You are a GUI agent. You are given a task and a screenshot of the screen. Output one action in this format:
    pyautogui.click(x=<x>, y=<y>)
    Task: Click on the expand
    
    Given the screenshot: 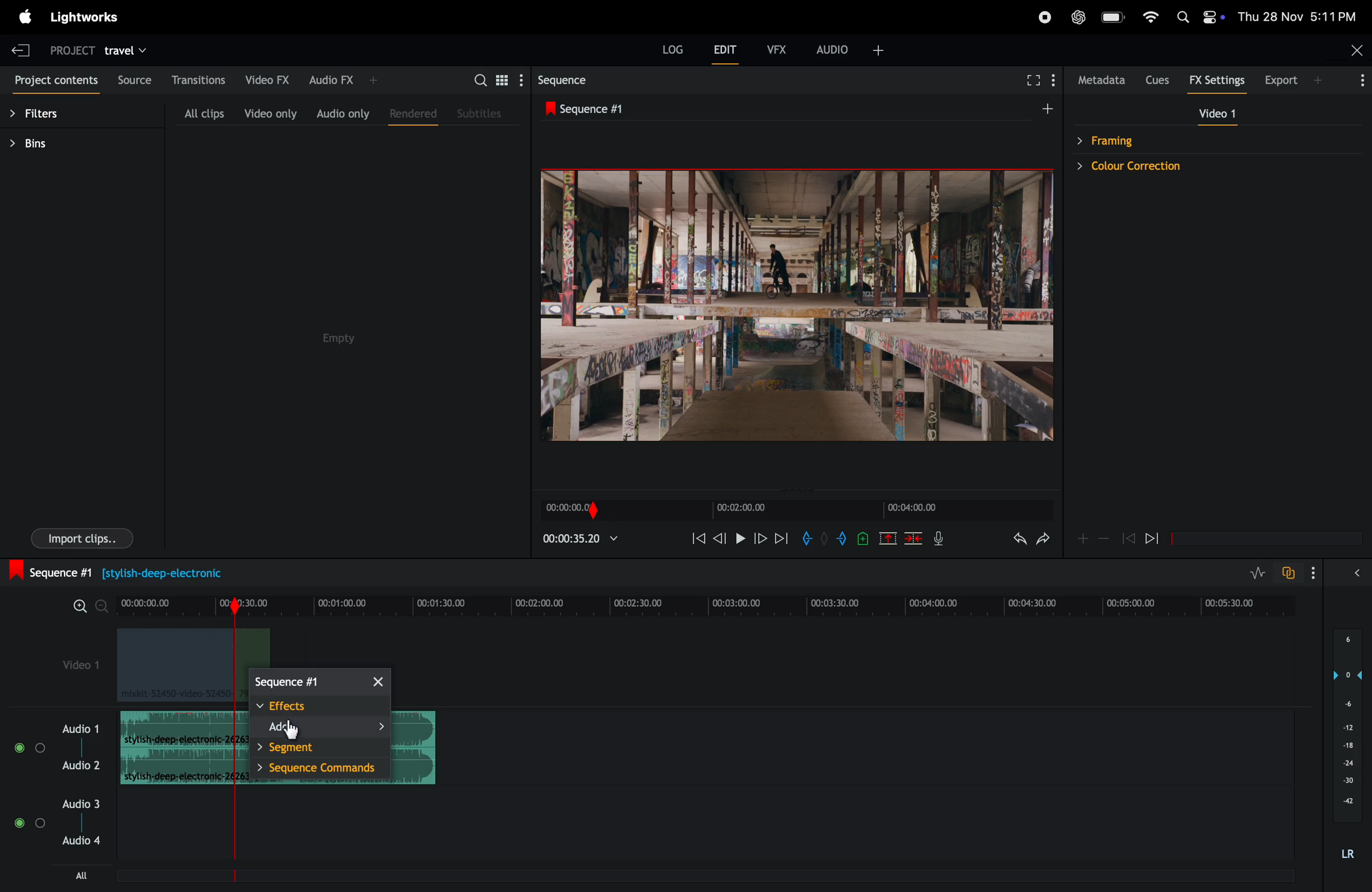 What is the action you would take?
    pyautogui.click(x=1354, y=575)
    